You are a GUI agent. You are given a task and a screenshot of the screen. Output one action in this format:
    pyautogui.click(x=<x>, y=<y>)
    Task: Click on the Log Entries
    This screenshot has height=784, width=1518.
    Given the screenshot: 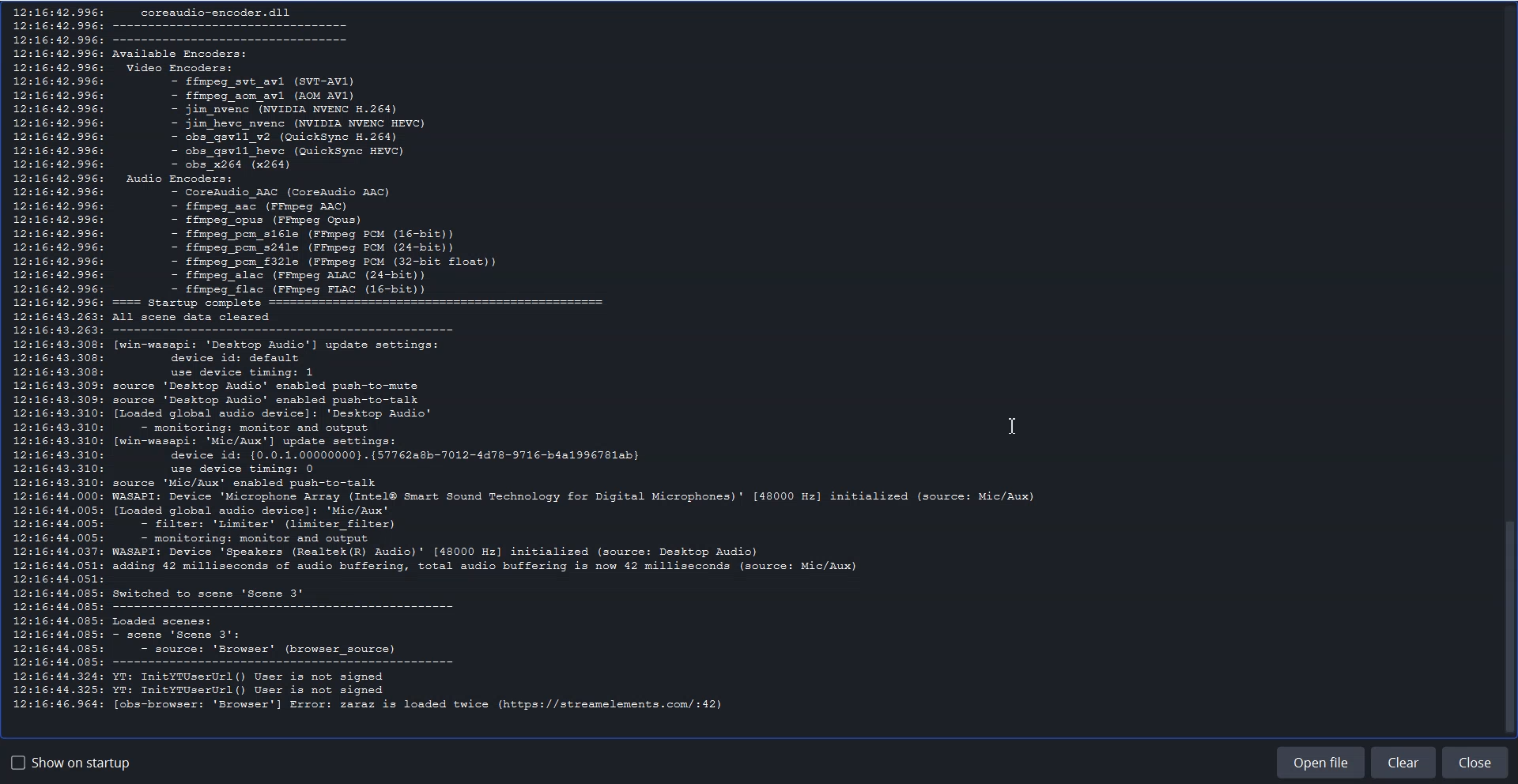 What is the action you would take?
    pyautogui.click(x=585, y=364)
    